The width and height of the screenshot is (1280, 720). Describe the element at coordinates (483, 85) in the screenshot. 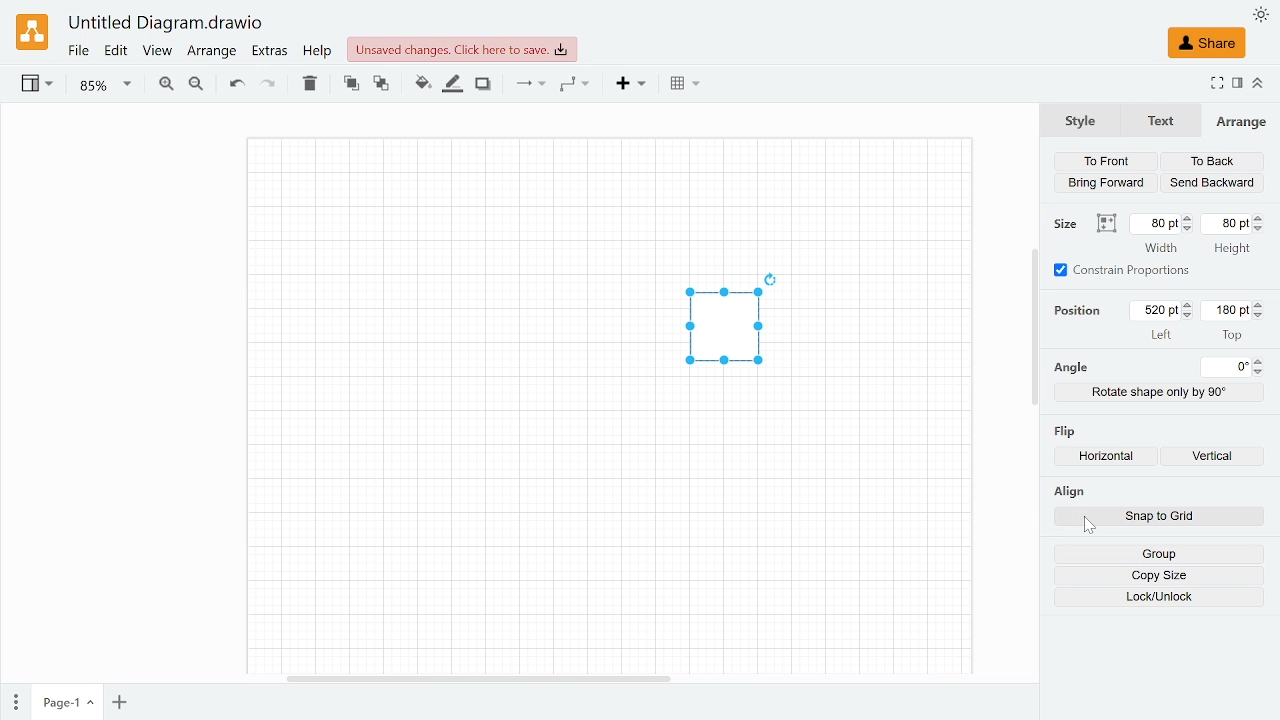

I see `Shadow` at that location.